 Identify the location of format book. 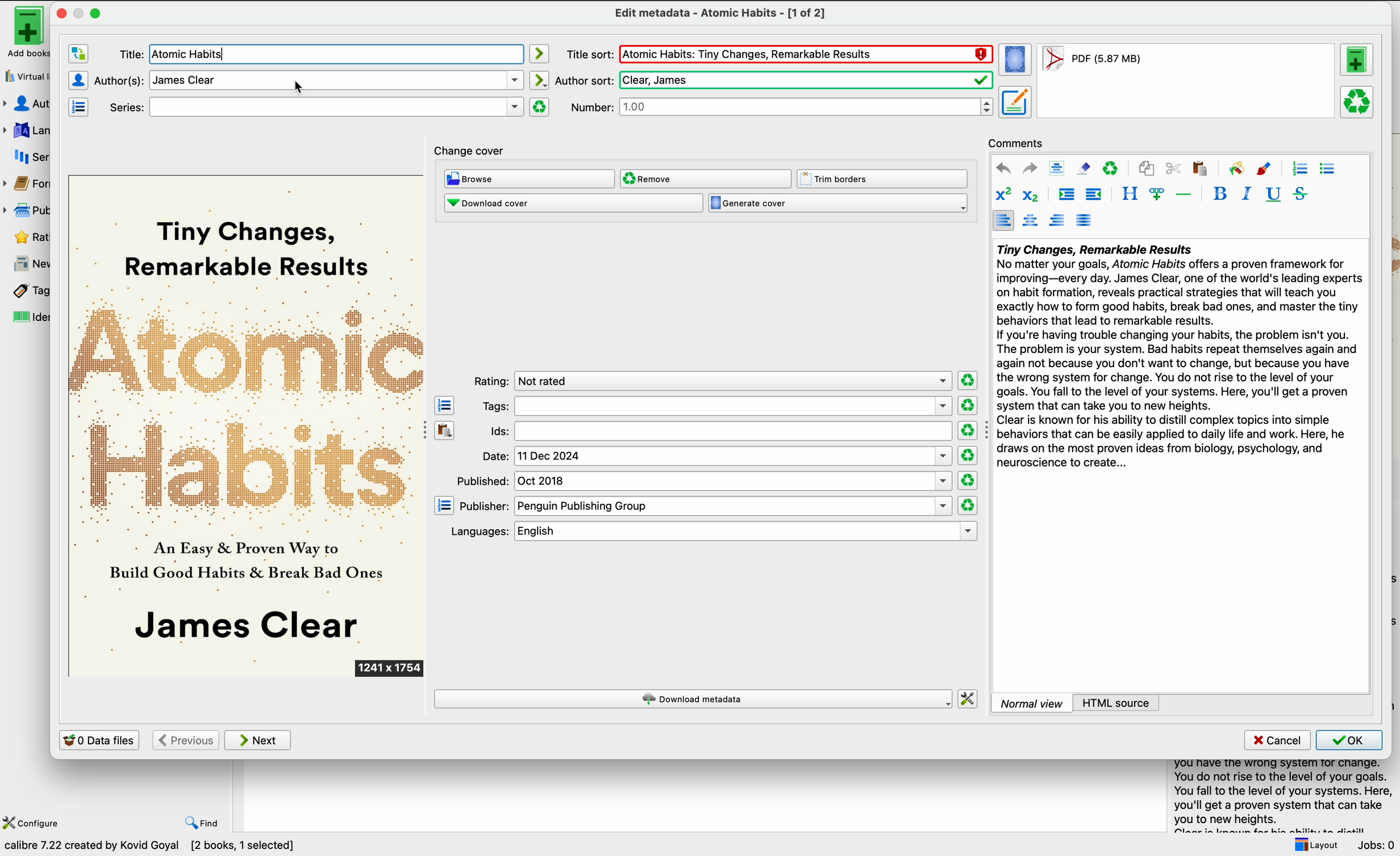
(1091, 61).